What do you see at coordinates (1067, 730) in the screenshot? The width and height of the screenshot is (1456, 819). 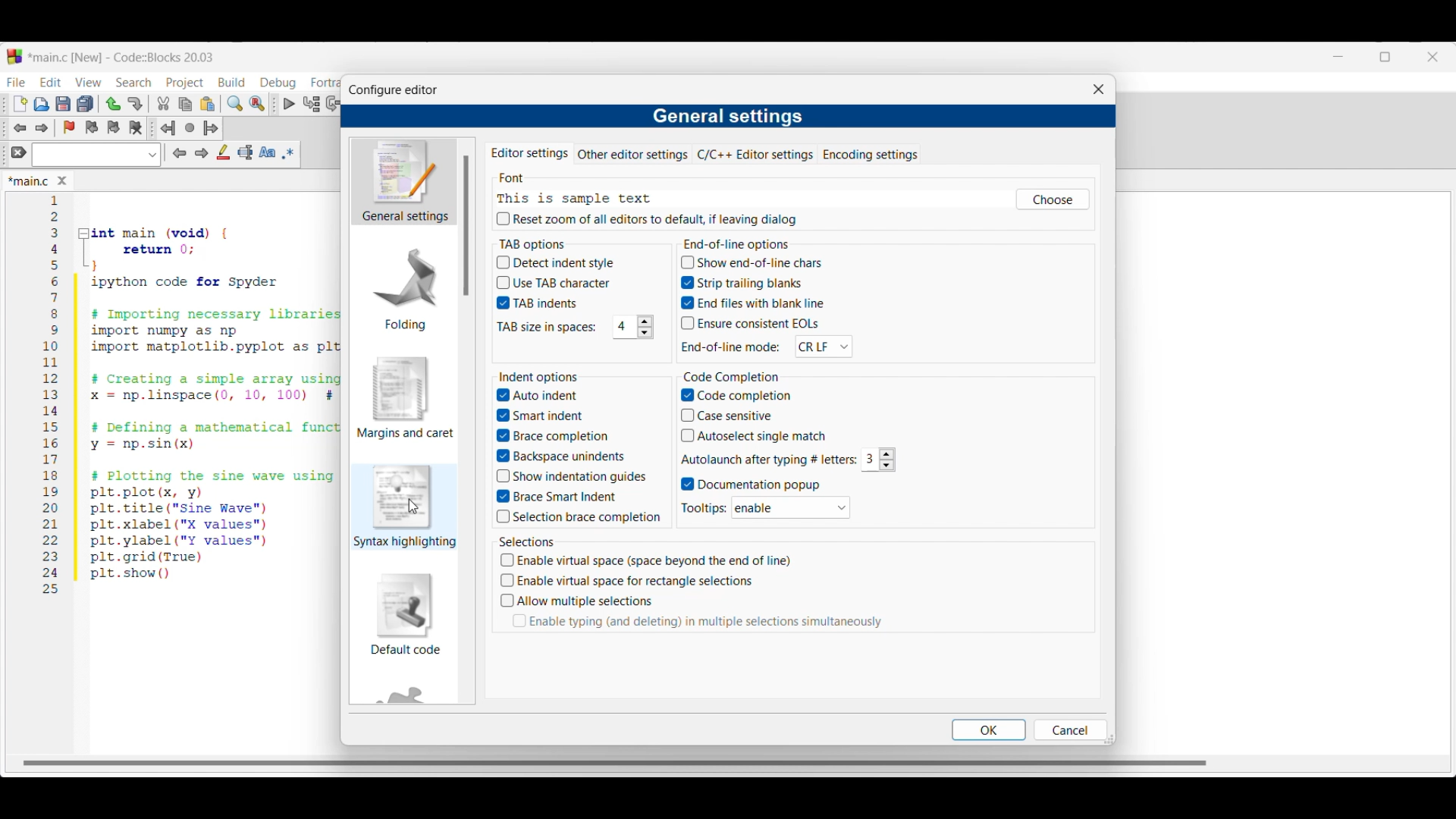 I see `Cancel` at bounding box center [1067, 730].